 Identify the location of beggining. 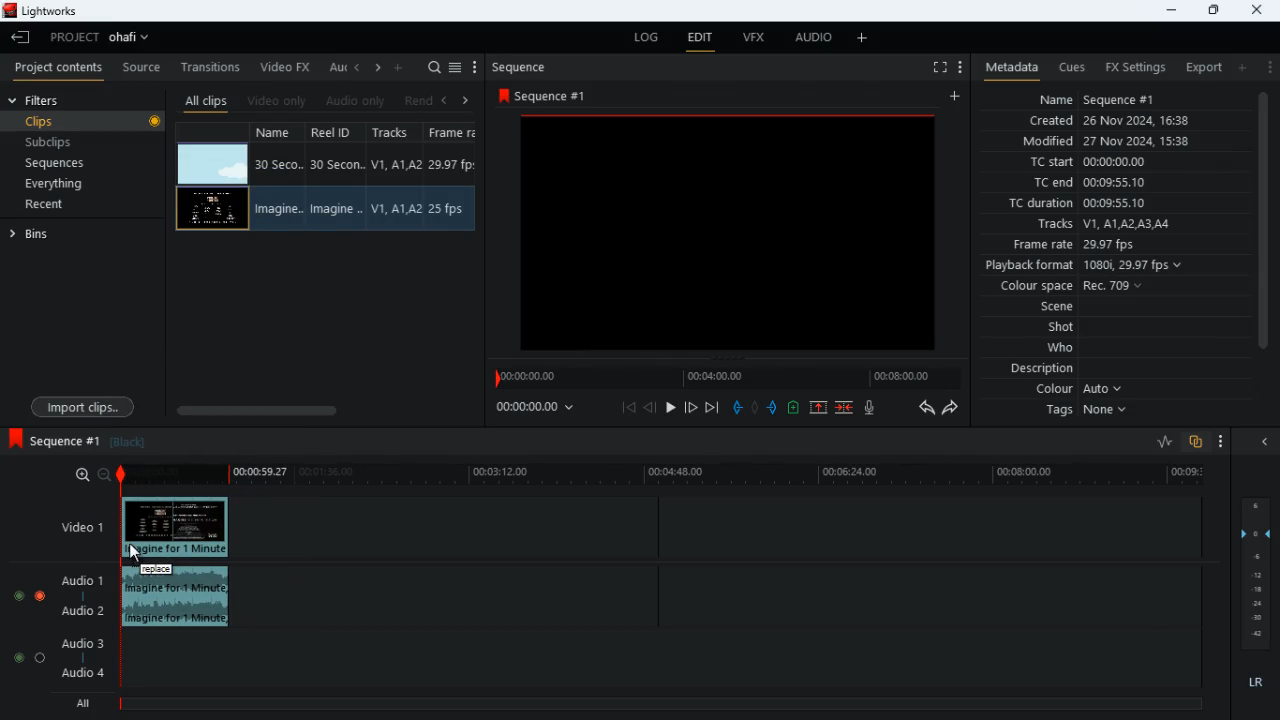
(628, 408).